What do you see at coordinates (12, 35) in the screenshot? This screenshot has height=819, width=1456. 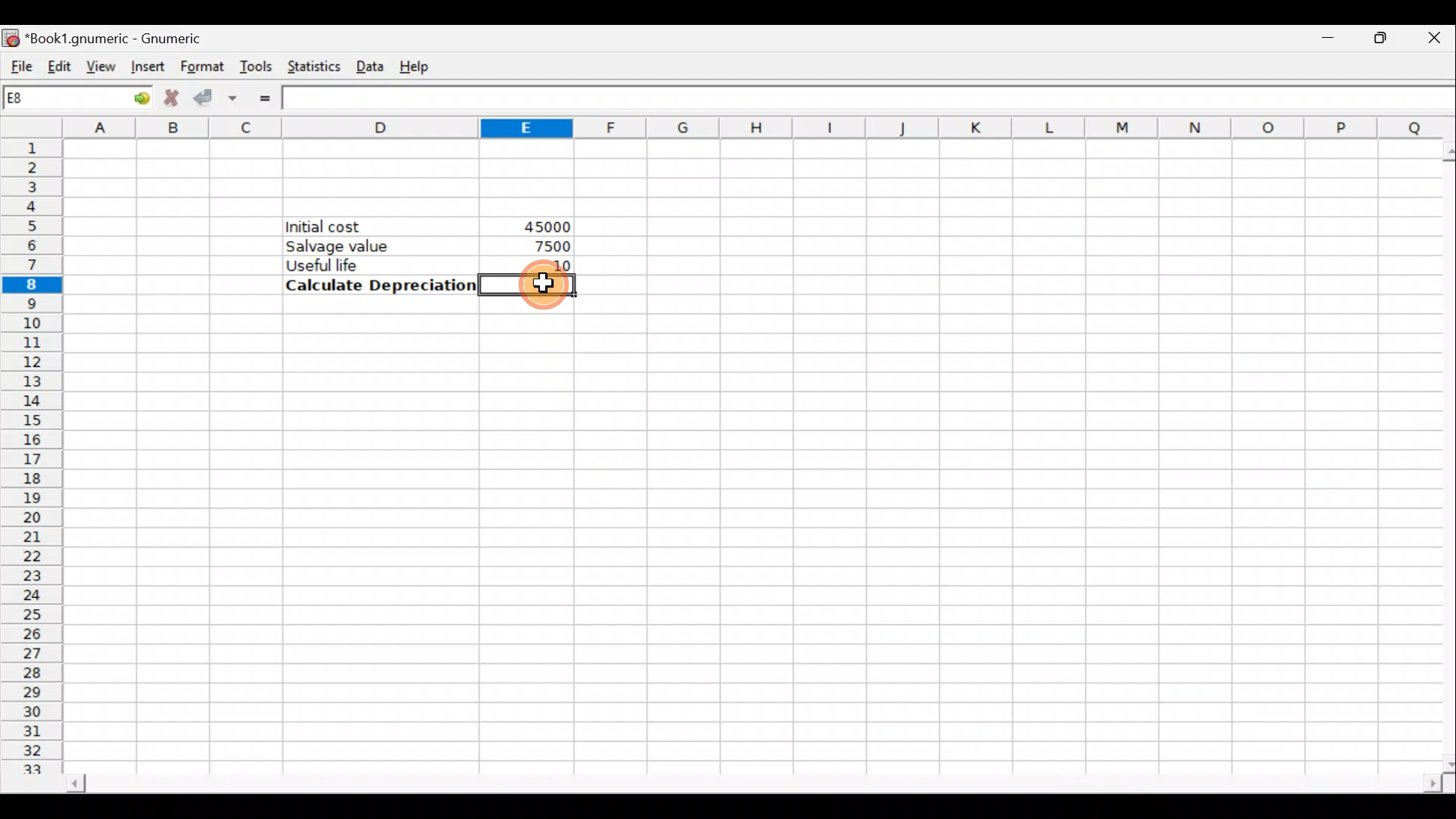 I see `Gnumeric logo` at bounding box center [12, 35].